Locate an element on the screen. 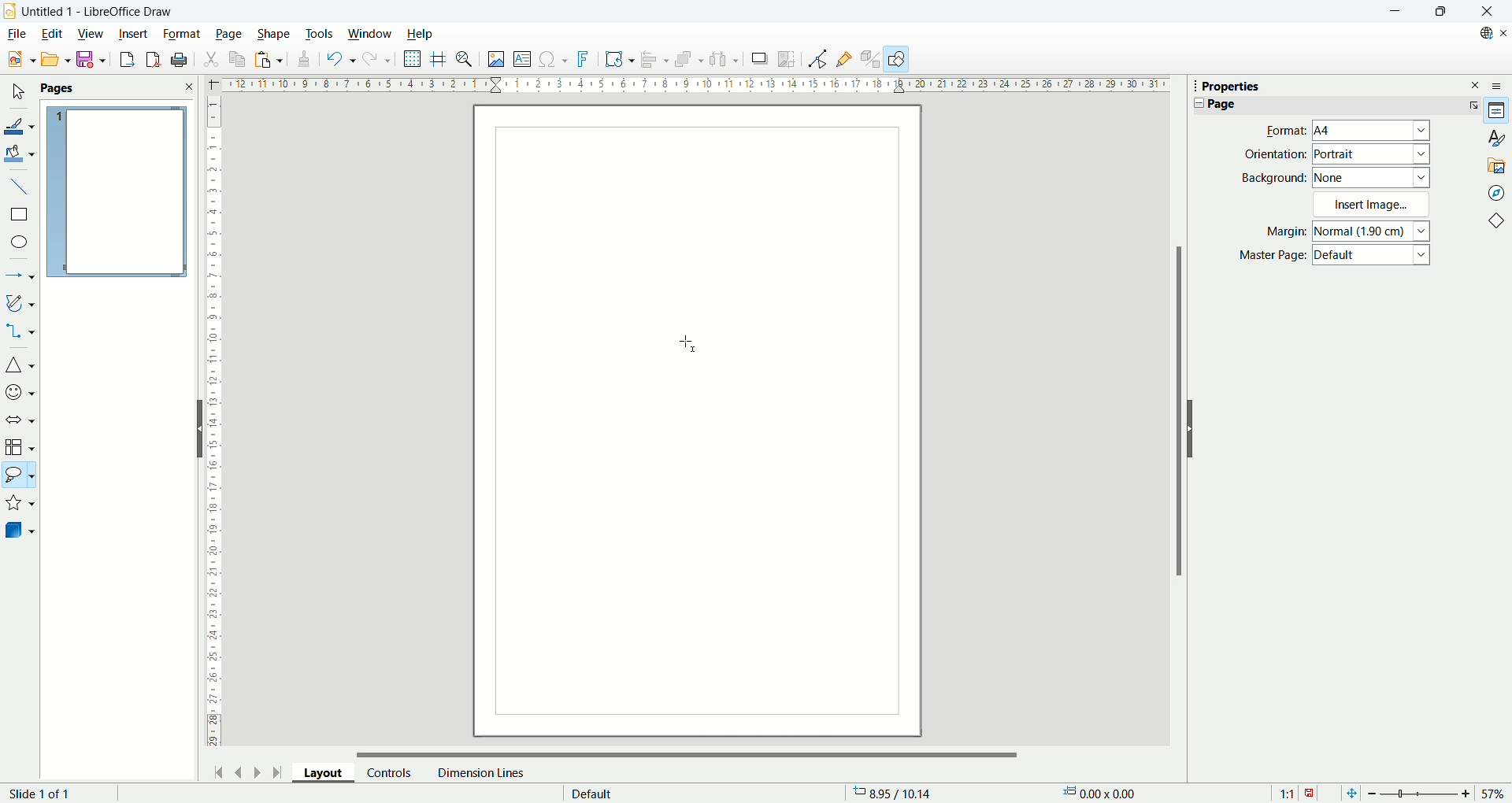 The image size is (1512, 803). paste is located at coordinates (268, 59).